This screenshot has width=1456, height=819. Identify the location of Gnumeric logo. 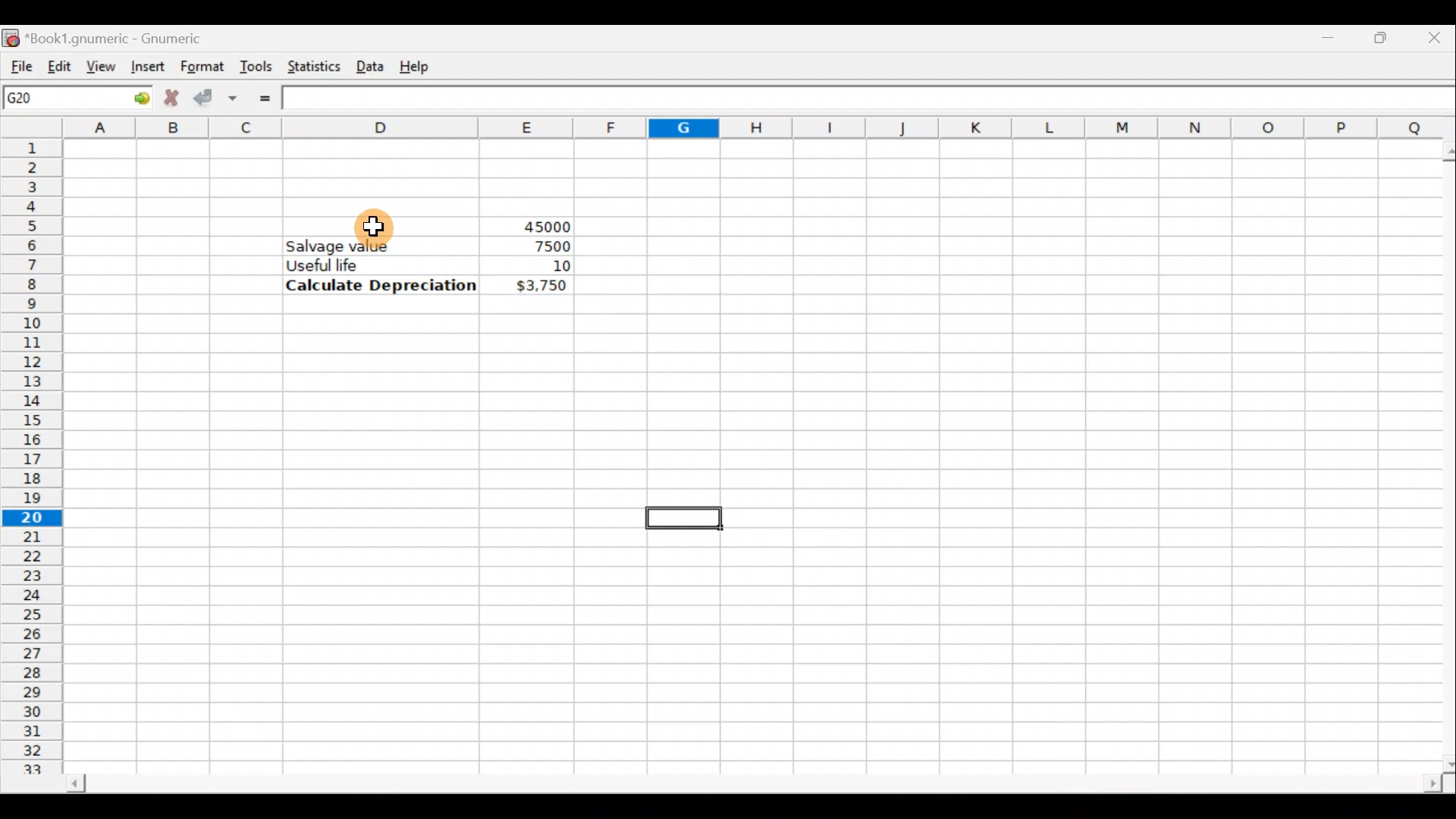
(11, 36).